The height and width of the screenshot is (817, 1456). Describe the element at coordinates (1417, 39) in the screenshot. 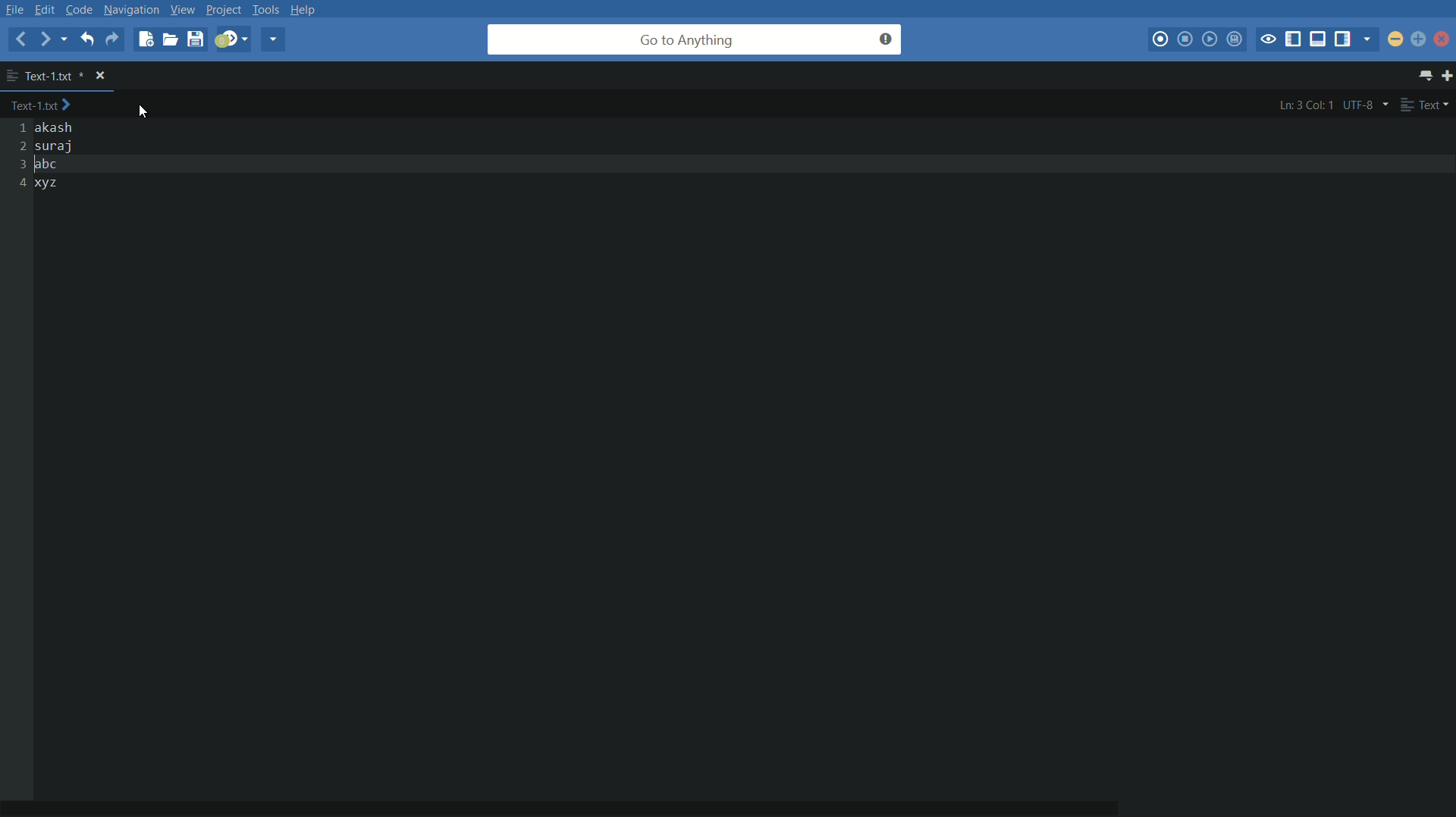

I see `maximize` at that location.